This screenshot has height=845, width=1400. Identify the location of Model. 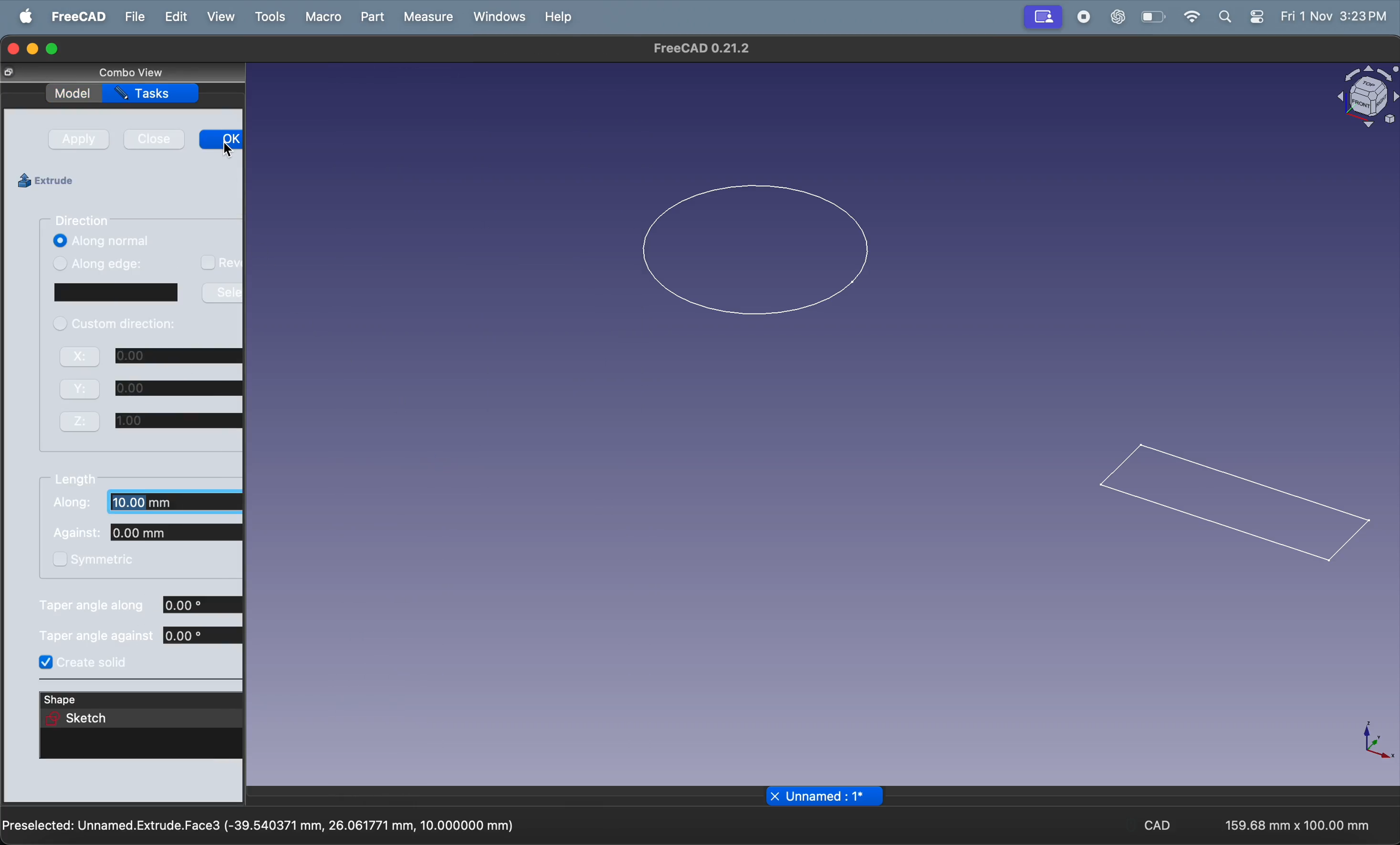
(73, 93).